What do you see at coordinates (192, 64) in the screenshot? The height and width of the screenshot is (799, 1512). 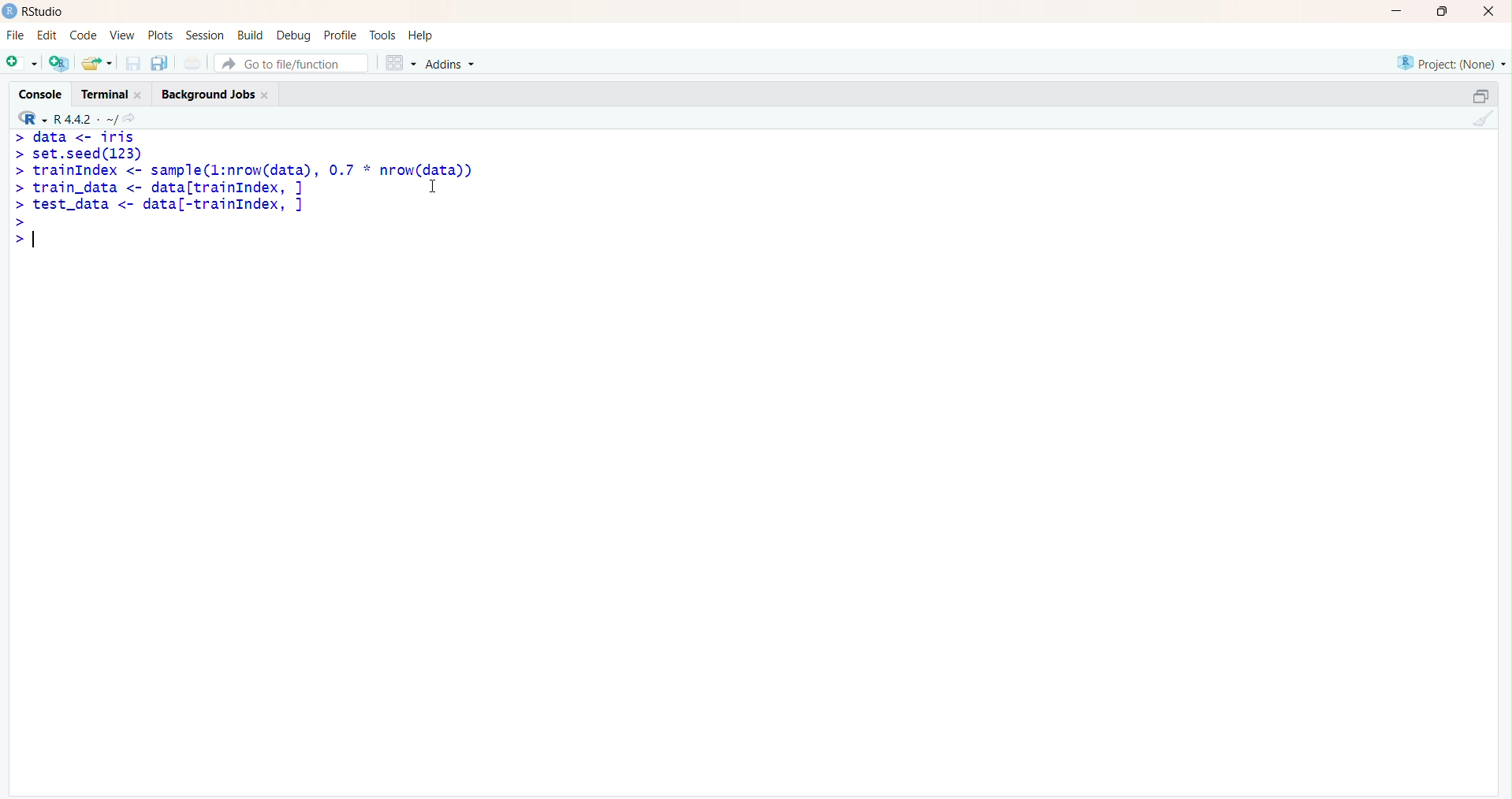 I see `Print the current file` at bounding box center [192, 64].